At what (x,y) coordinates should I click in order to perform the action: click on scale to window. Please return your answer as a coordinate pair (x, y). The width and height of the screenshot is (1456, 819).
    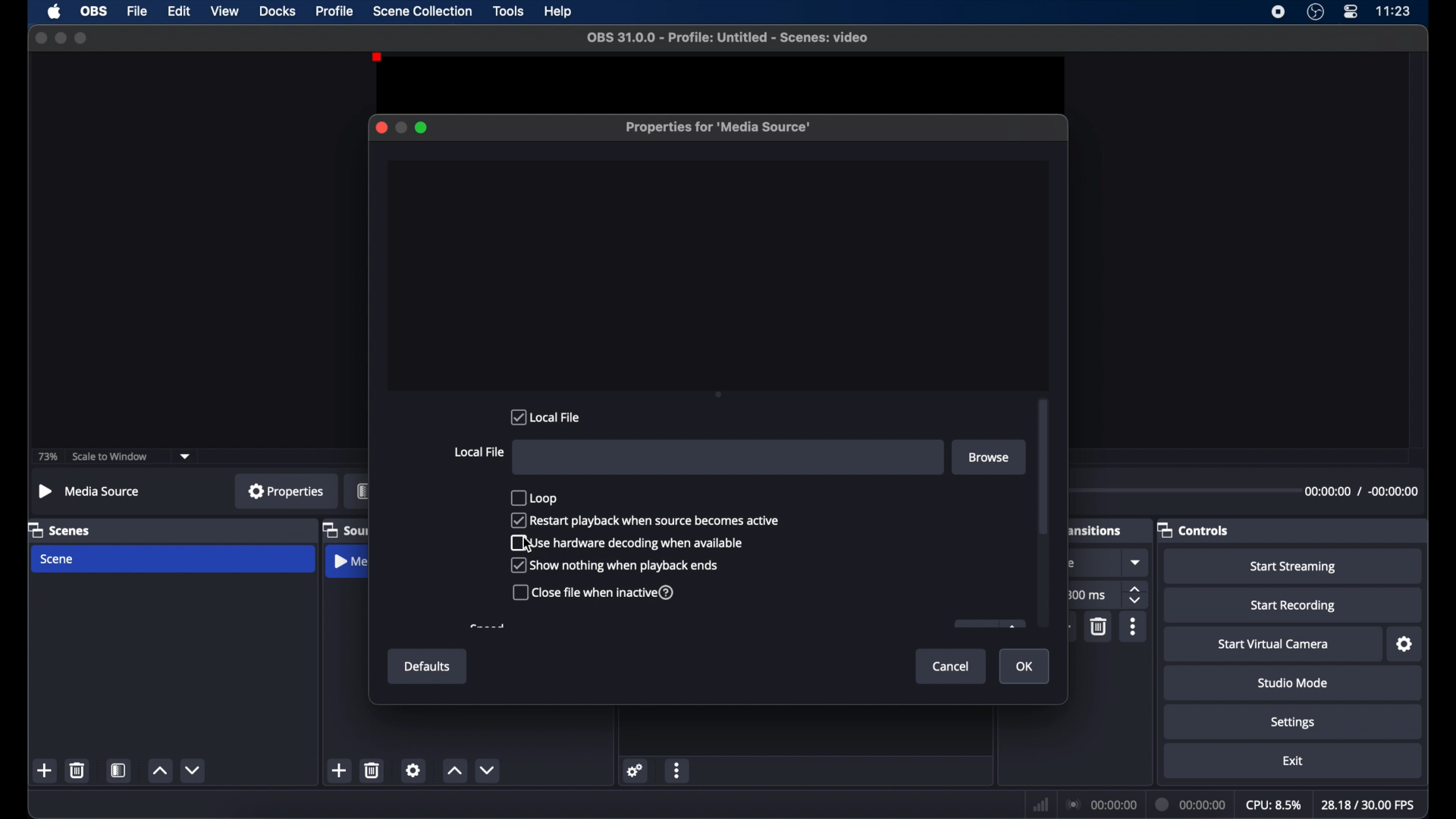
    Looking at the image, I should click on (111, 456).